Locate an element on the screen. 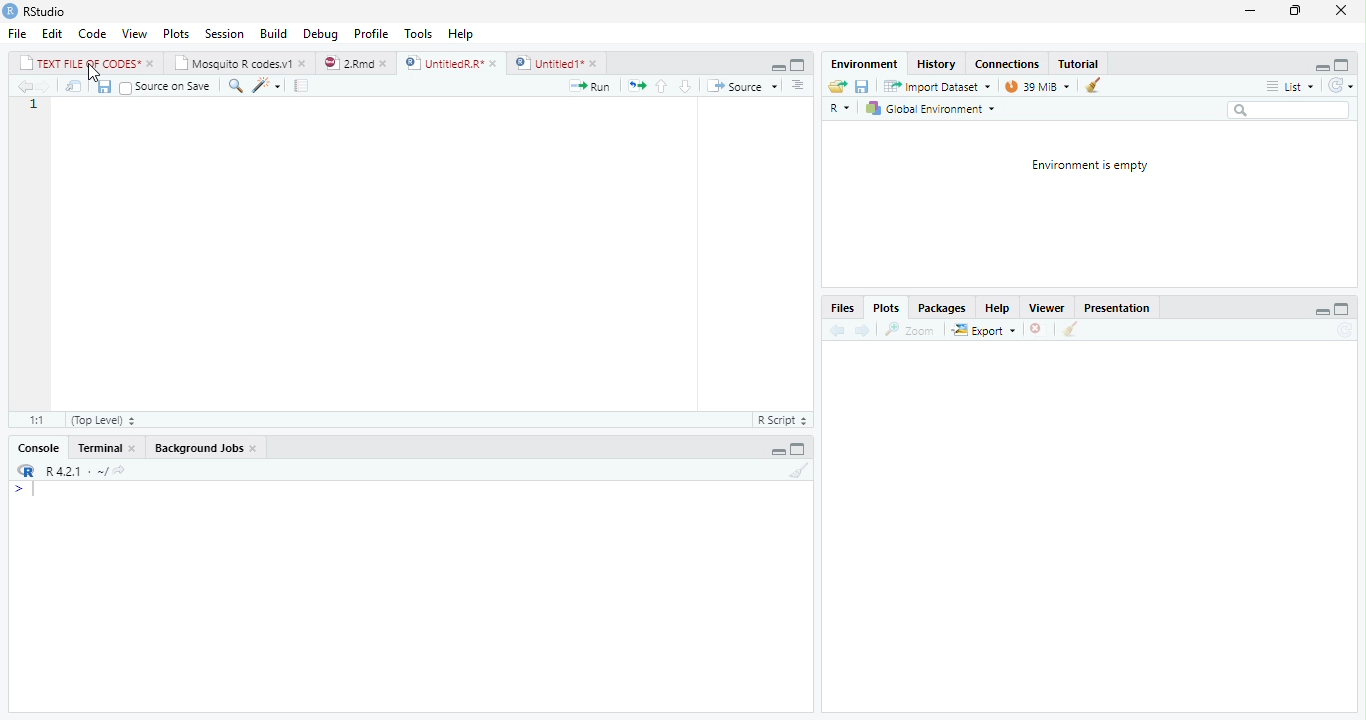  Run is located at coordinates (591, 85).